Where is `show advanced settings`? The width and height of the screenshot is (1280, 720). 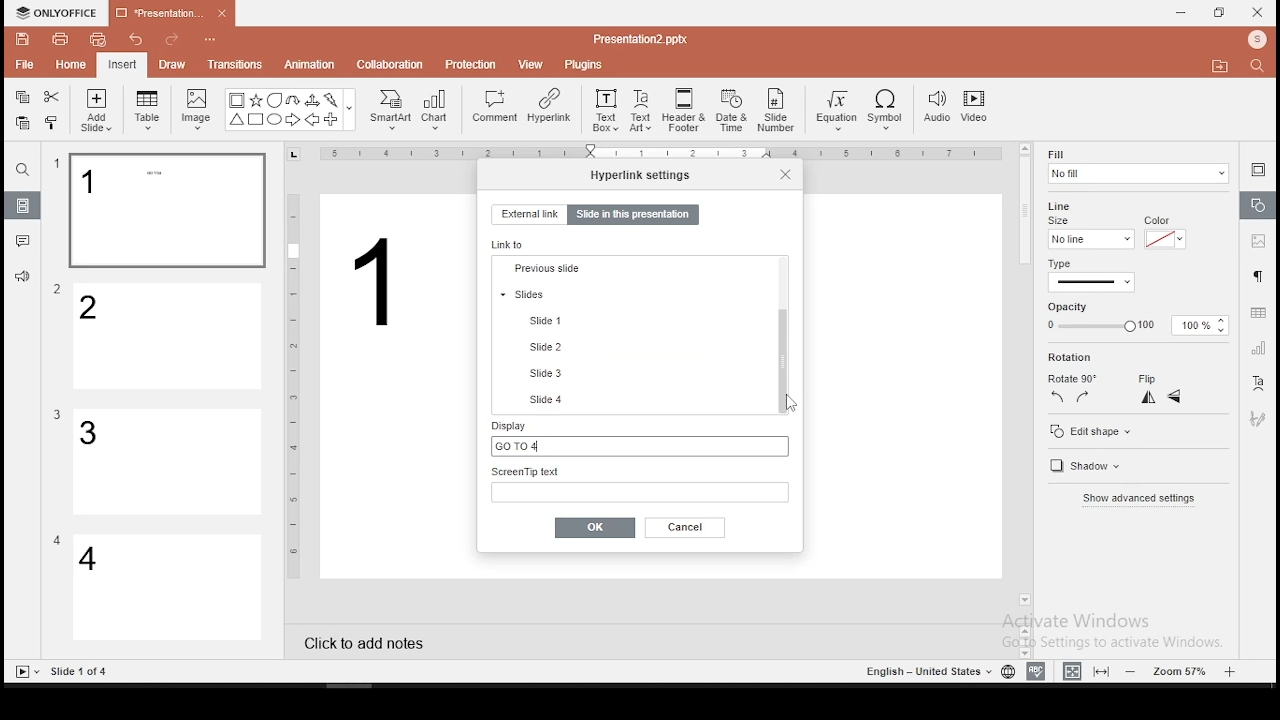 show advanced settings is located at coordinates (1137, 501).